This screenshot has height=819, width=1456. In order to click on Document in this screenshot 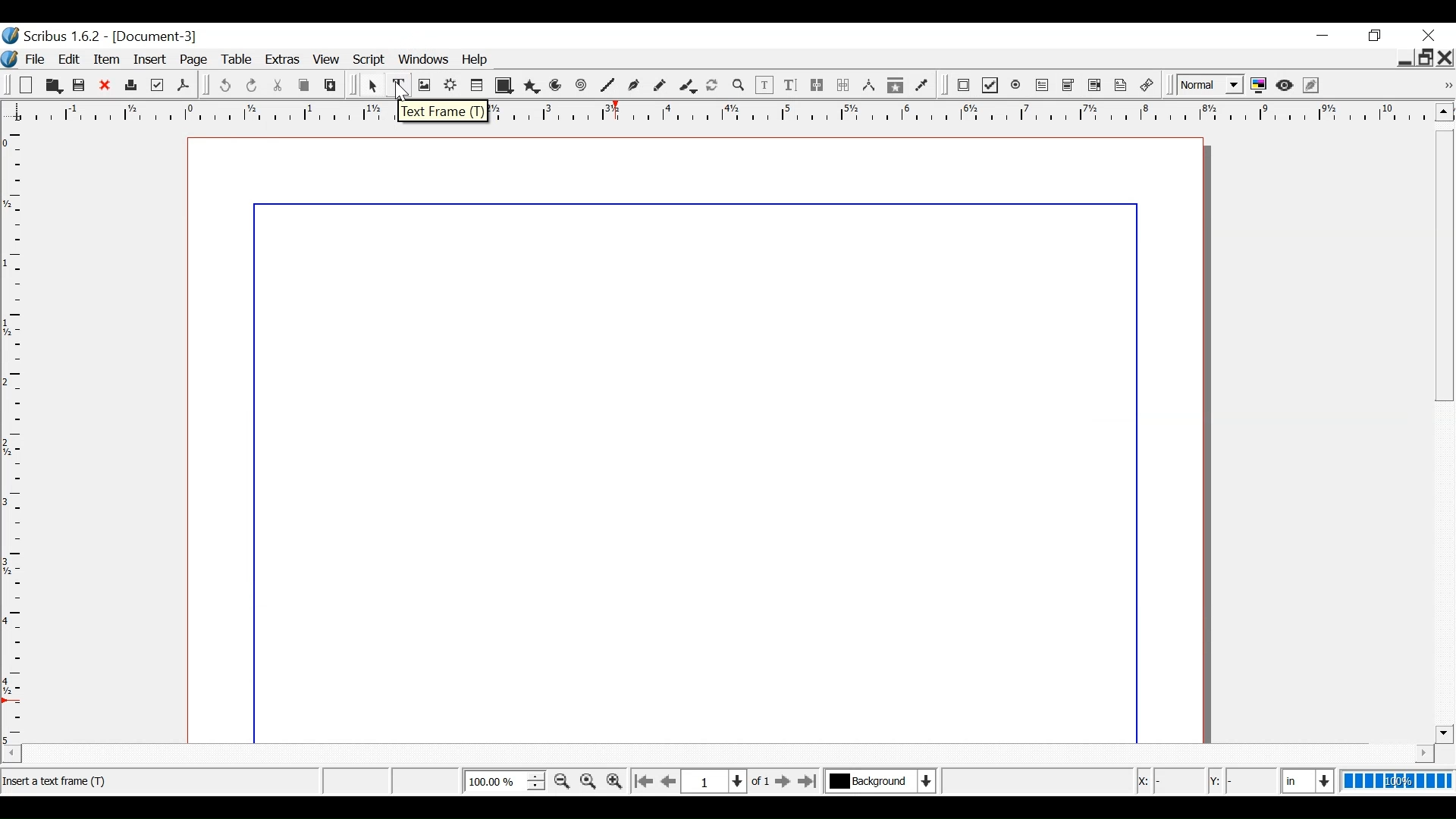, I will do `click(695, 441)`.